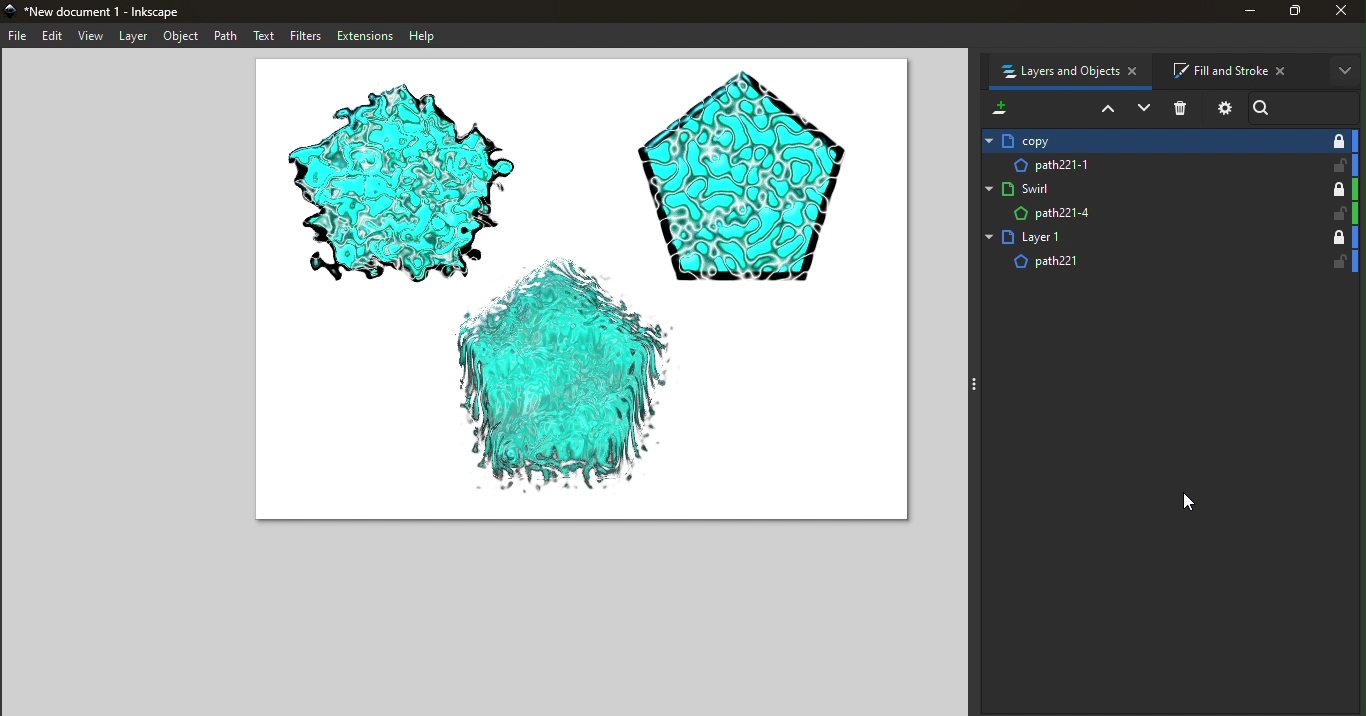  I want to click on lock/unlock layer, so click(1337, 262).